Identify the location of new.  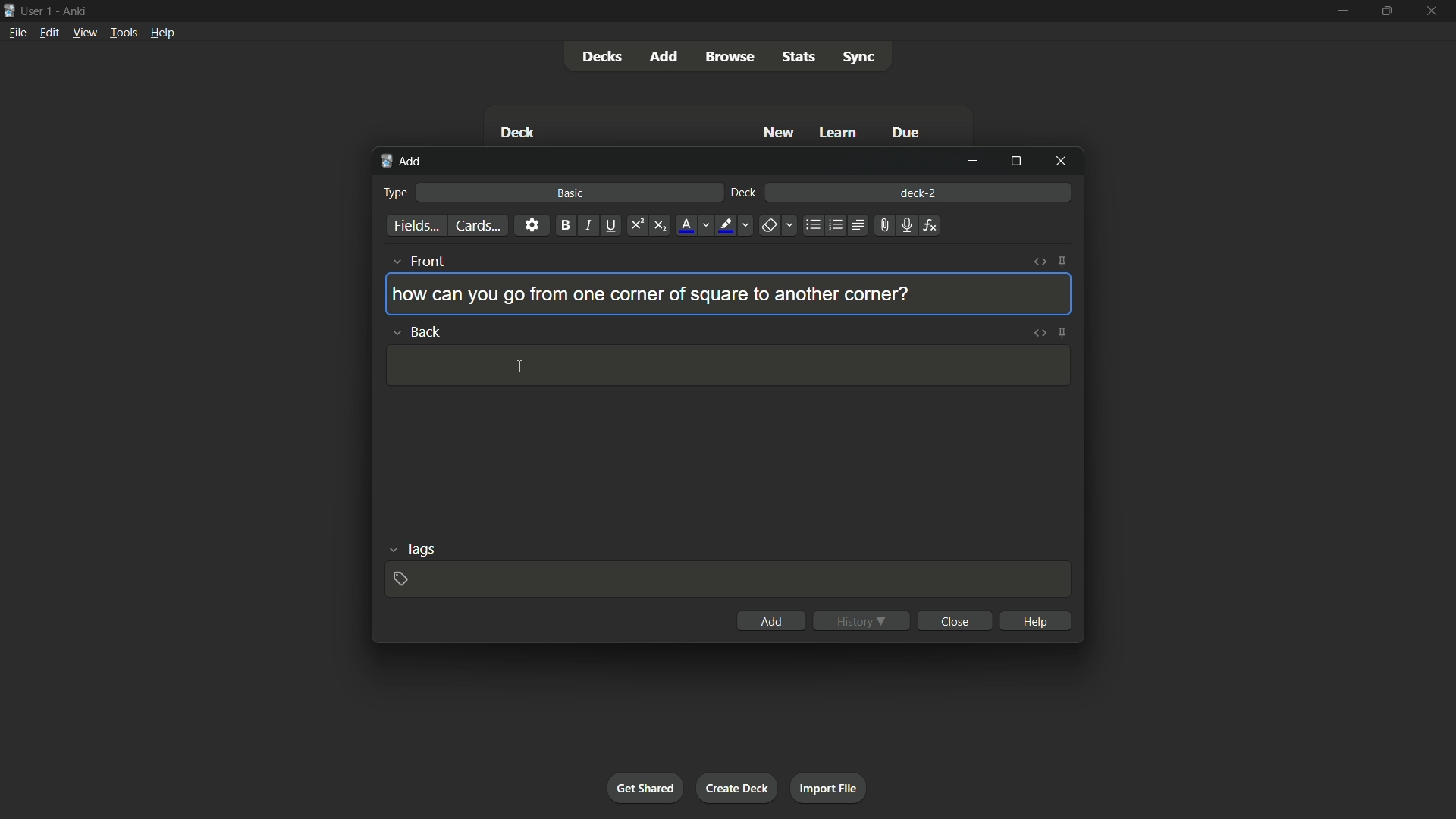
(779, 133).